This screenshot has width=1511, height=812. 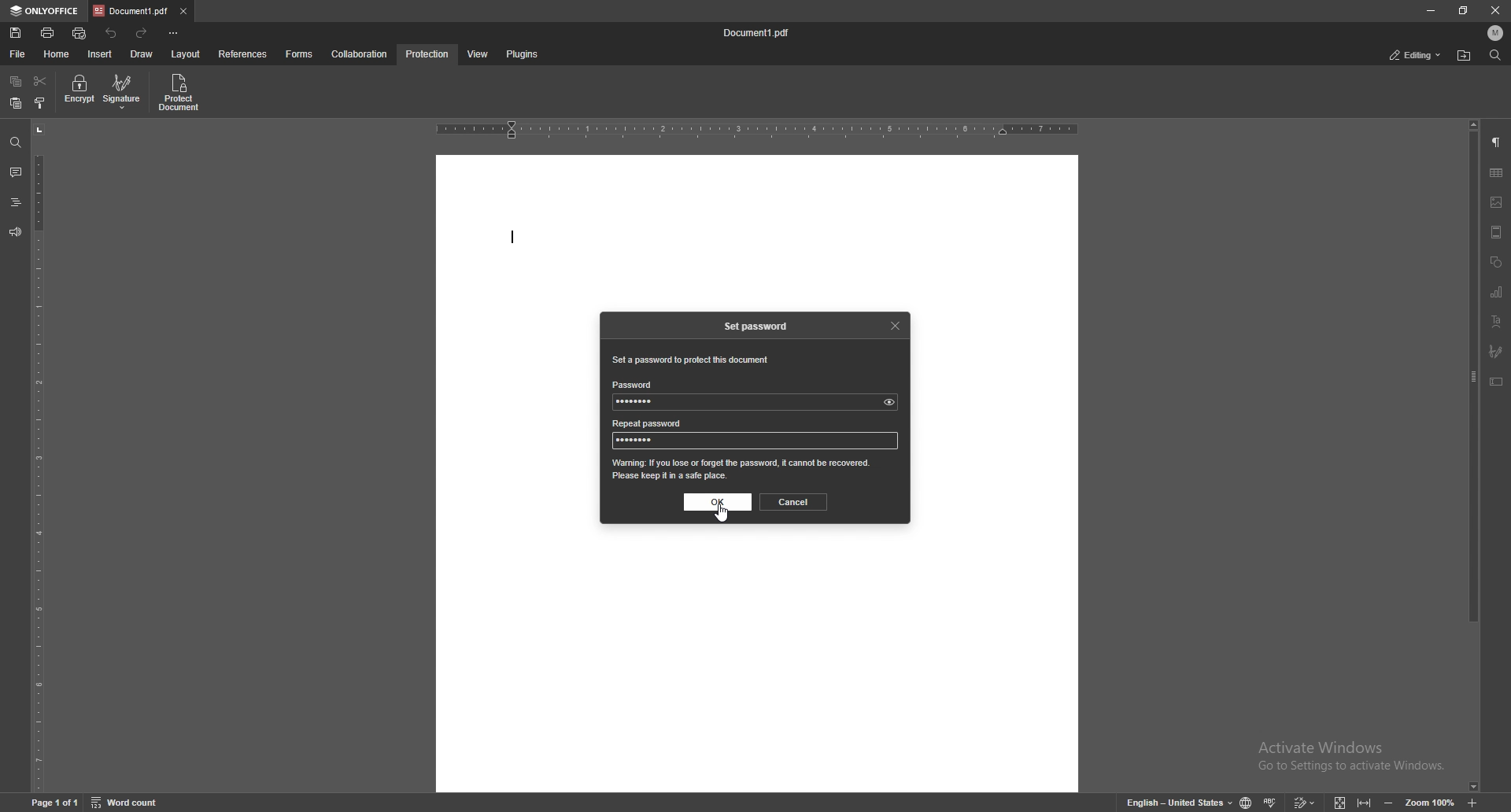 What do you see at coordinates (16, 104) in the screenshot?
I see `paste` at bounding box center [16, 104].